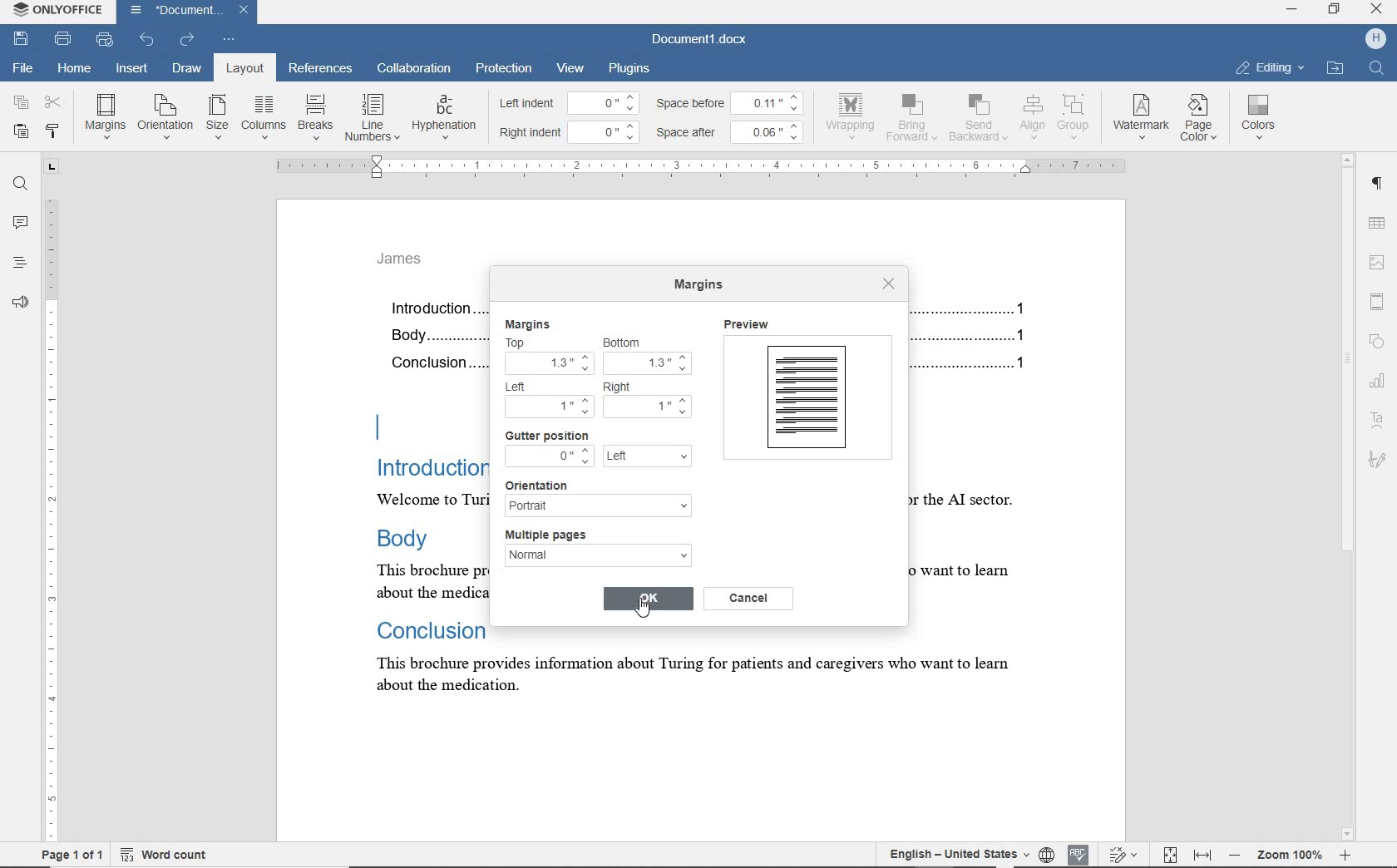 This screenshot has height=868, width=1397. Describe the element at coordinates (187, 67) in the screenshot. I see `draw` at that location.